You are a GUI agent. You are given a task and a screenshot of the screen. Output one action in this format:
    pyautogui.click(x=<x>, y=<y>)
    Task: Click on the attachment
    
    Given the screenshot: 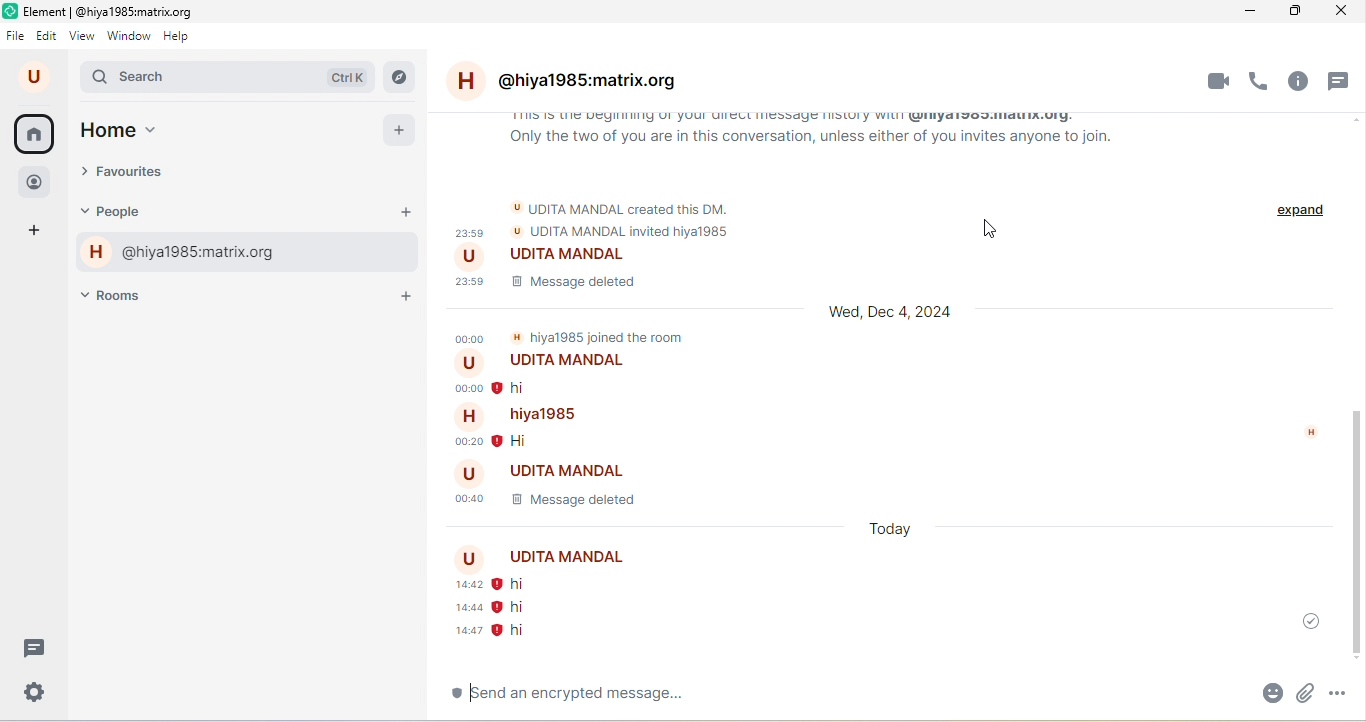 What is the action you would take?
    pyautogui.click(x=1265, y=696)
    